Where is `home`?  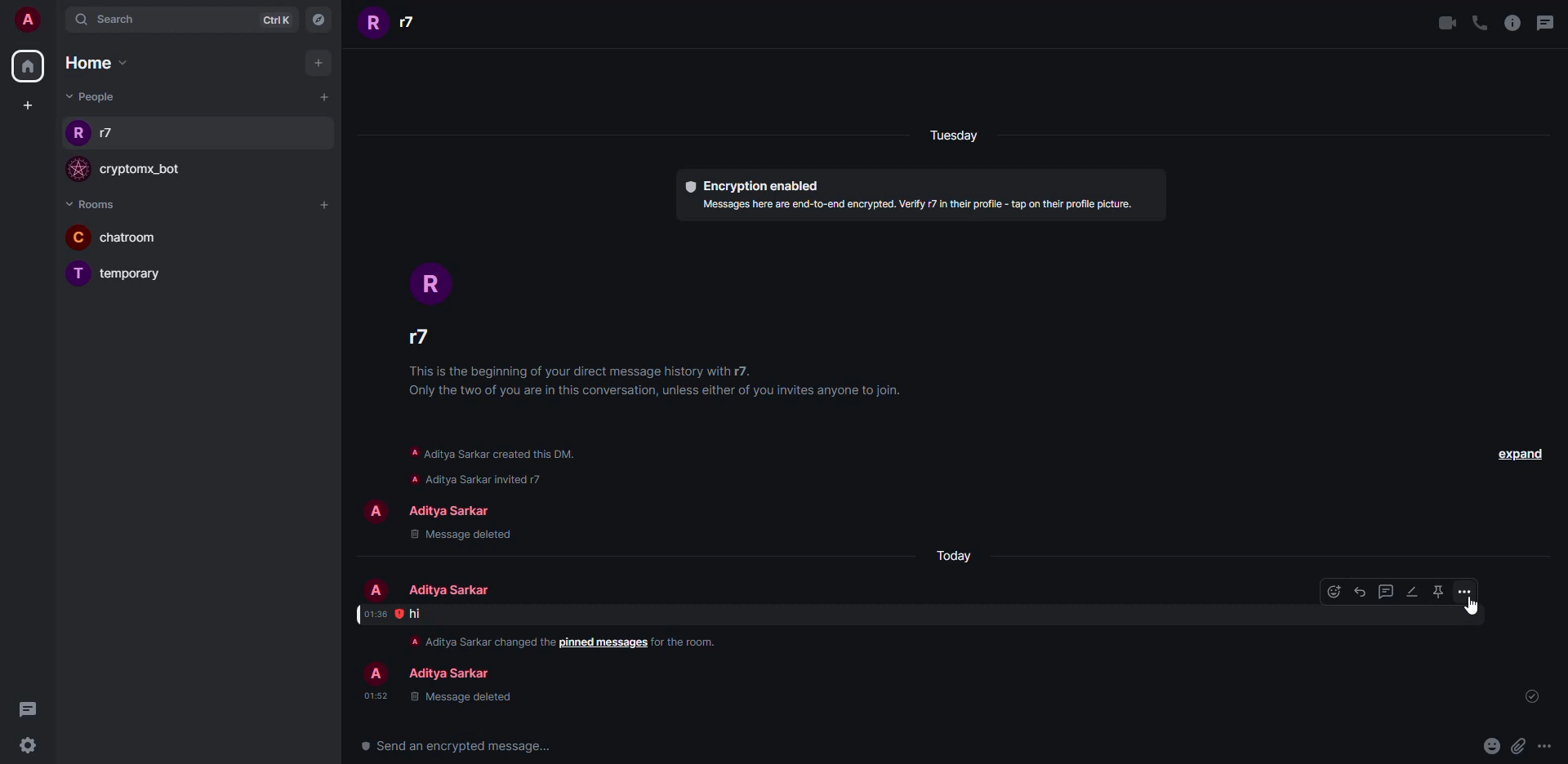 home is located at coordinates (96, 63).